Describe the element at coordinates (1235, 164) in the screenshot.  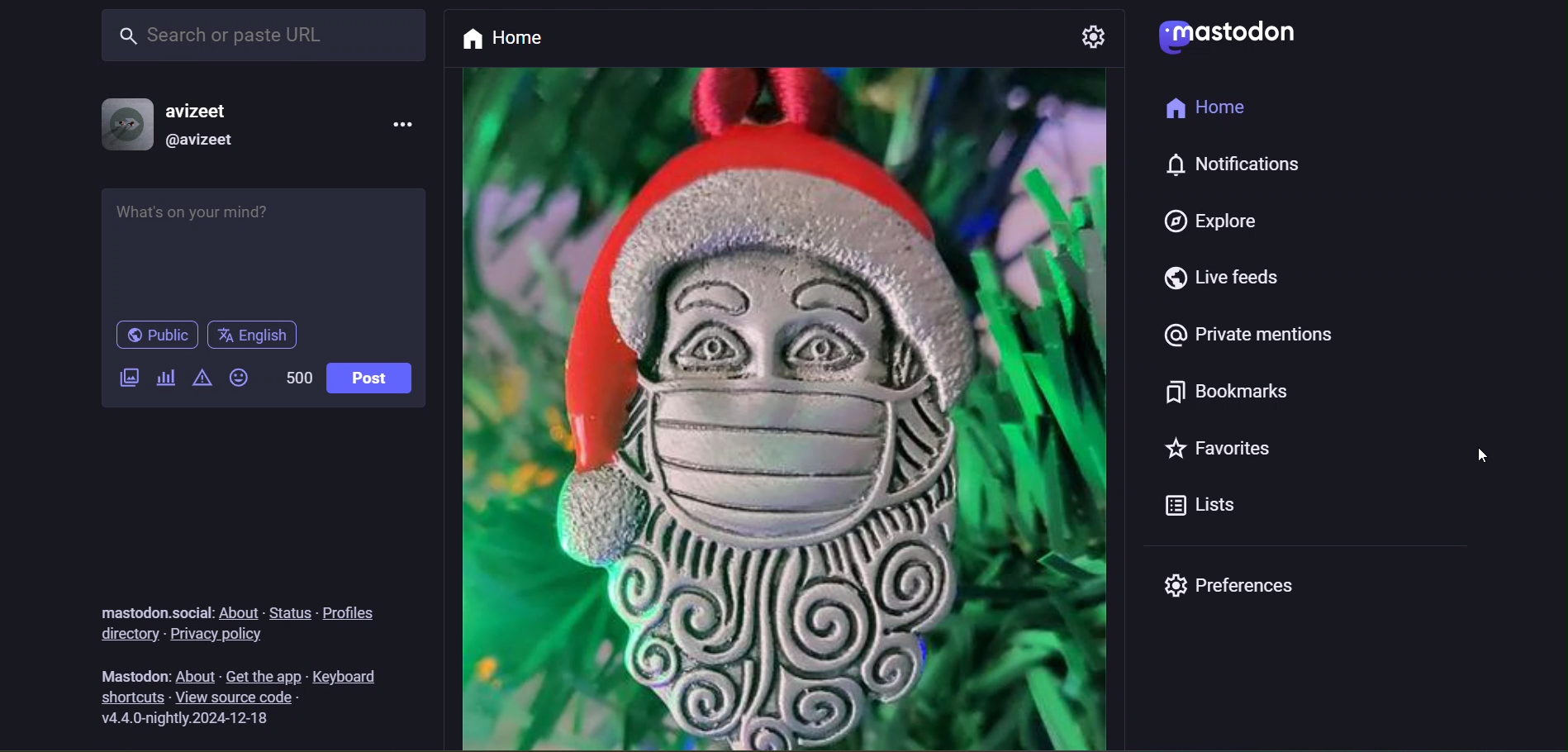
I see `notification` at that location.